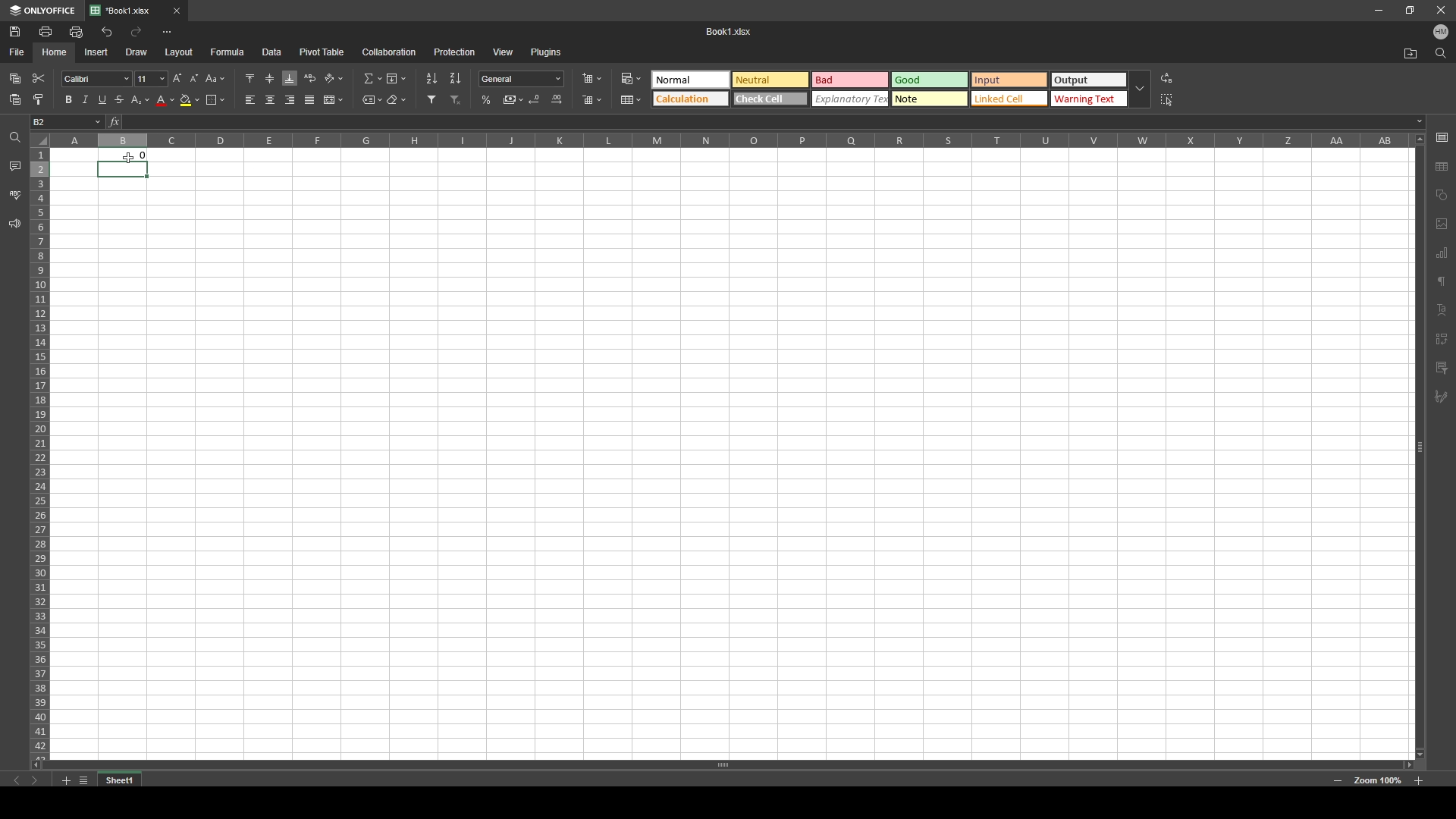 Image resolution: width=1456 pixels, height=819 pixels. Describe the element at coordinates (513, 99) in the screenshot. I see `comma style` at that location.